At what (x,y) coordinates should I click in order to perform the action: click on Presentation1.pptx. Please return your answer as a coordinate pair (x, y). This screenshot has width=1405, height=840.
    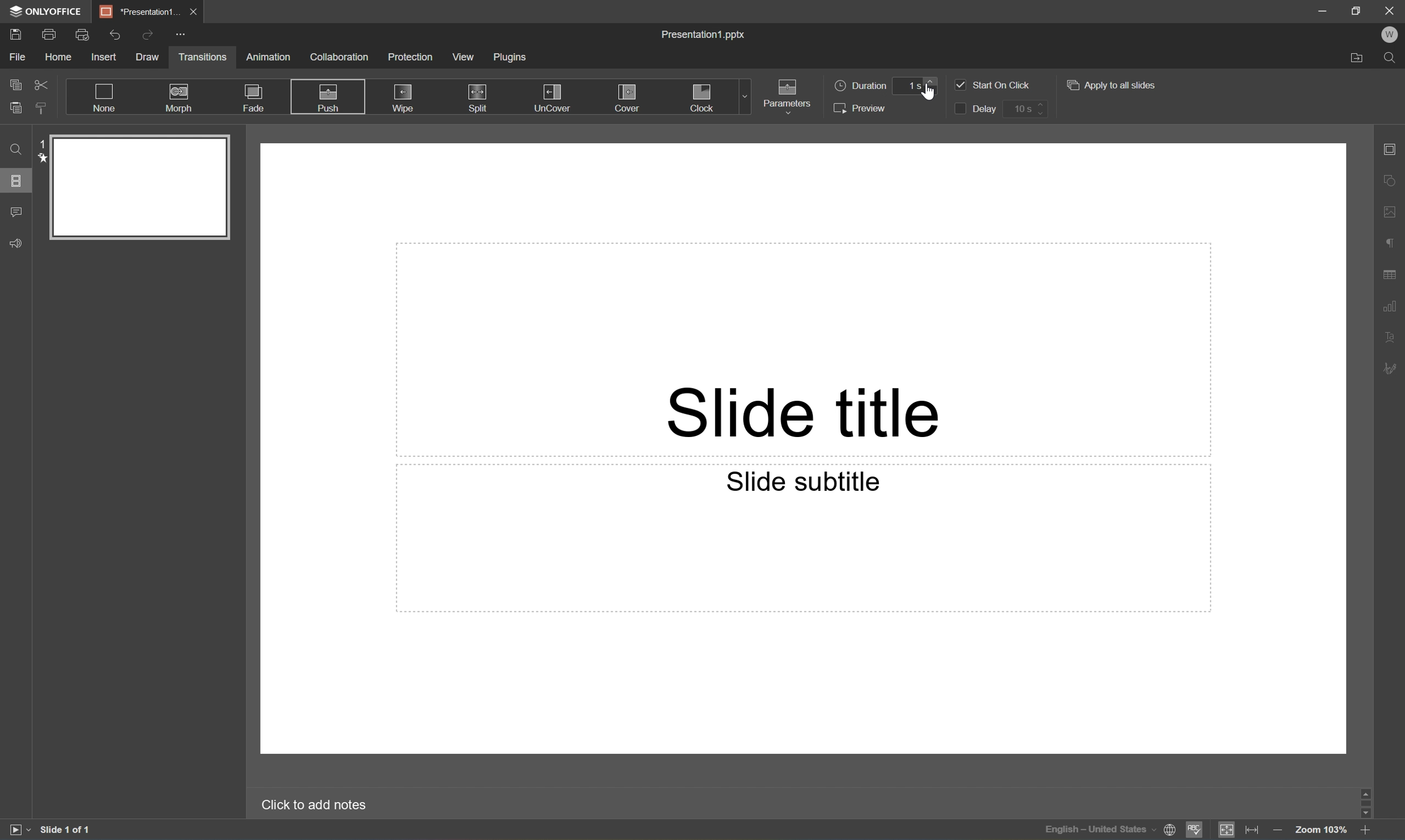
    Looking at the image, I should click on (703, 34).